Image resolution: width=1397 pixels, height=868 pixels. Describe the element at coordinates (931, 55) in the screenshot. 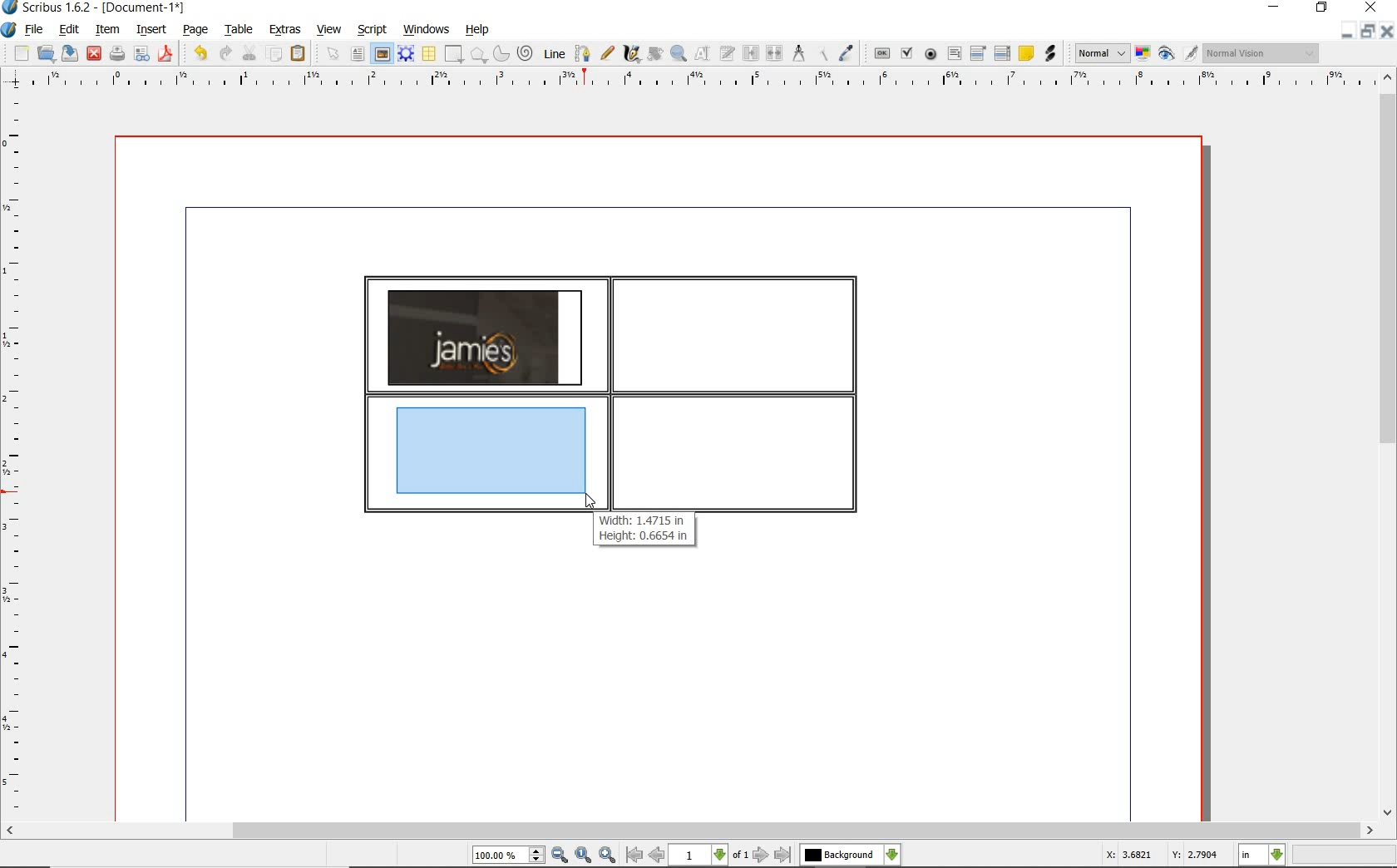

I see `pdf radio box` at that location.